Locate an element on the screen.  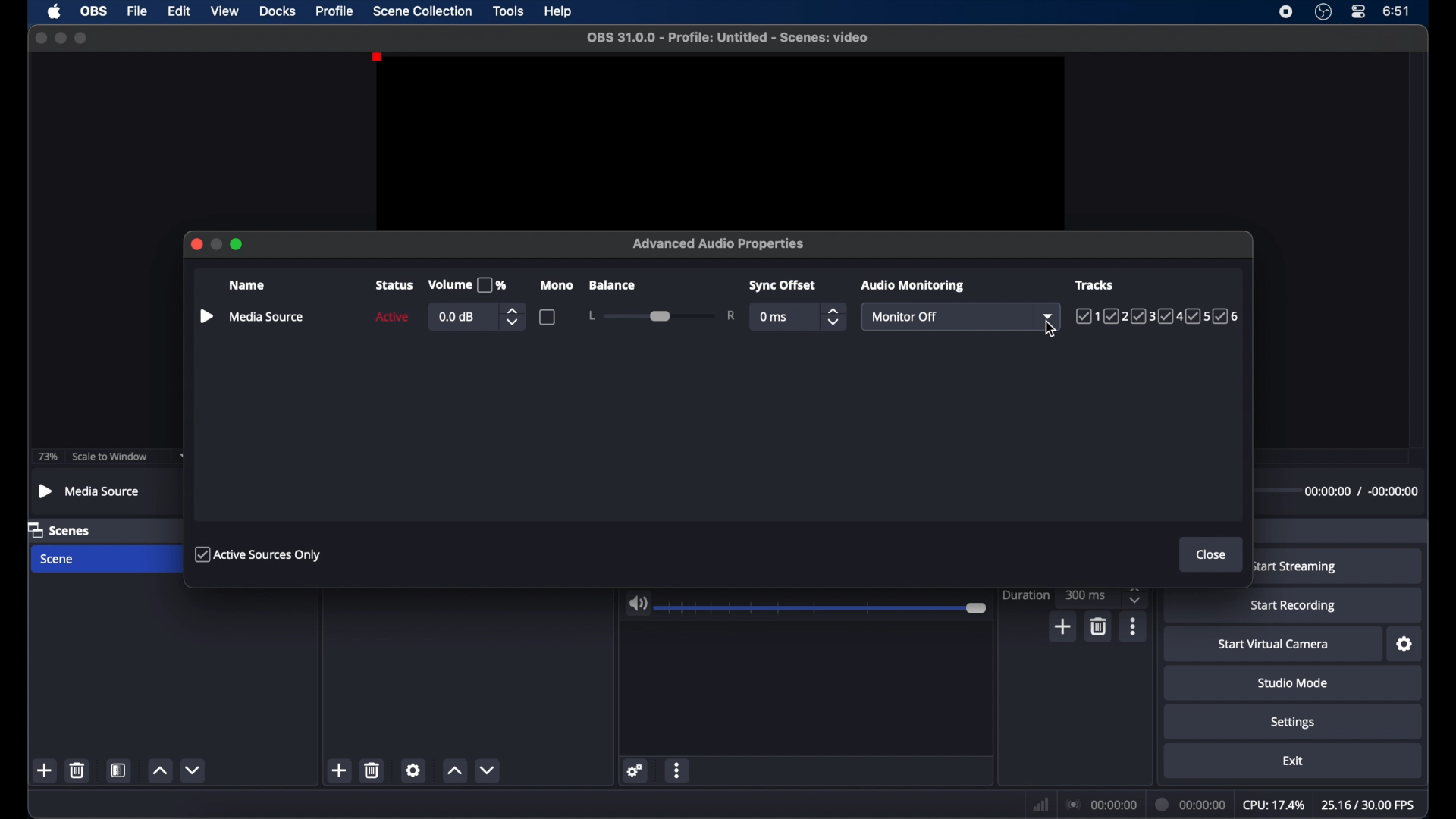
settings is located at coordinates (1405, 645).